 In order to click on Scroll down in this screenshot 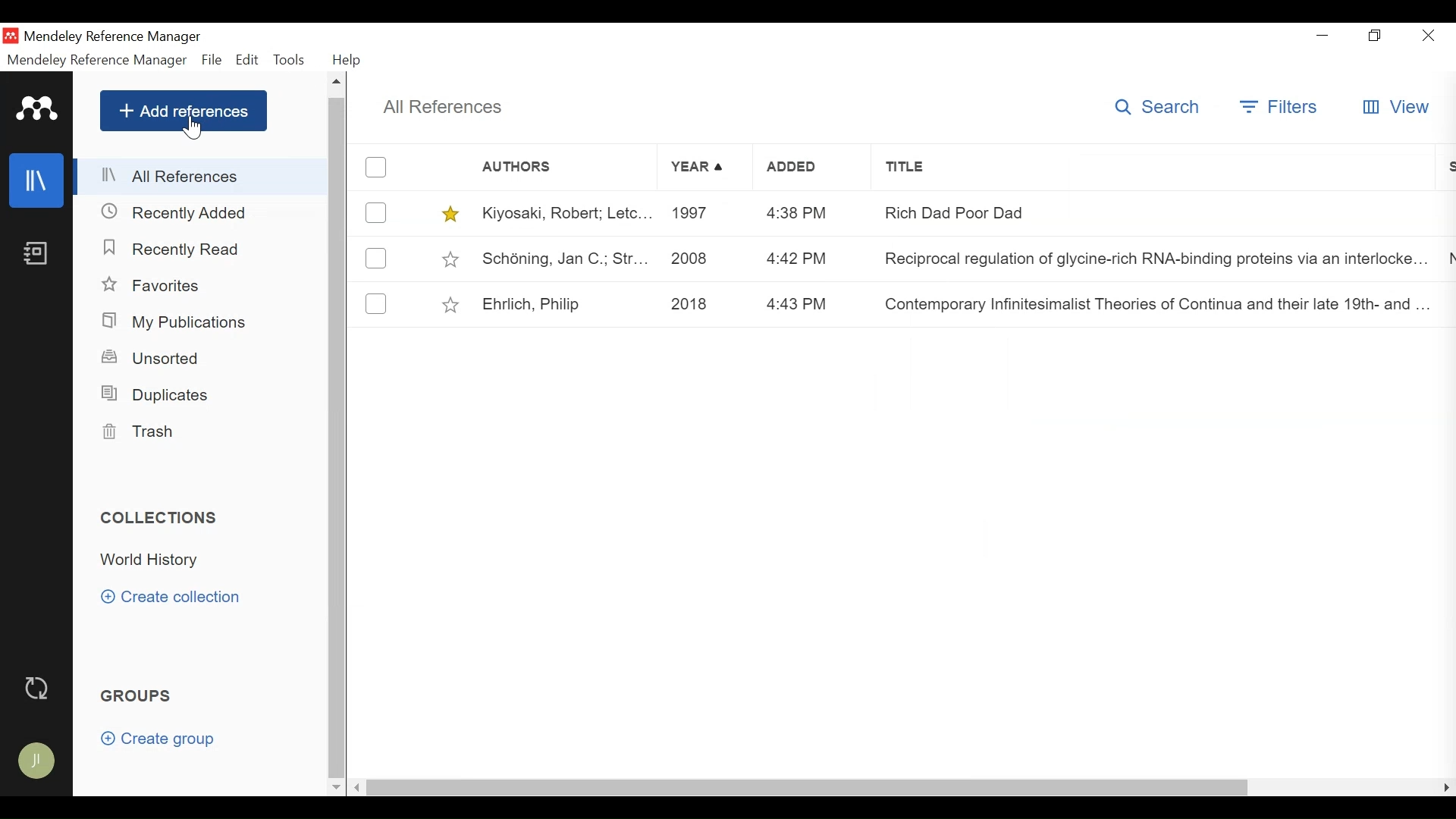, I will do `click(334, 789)`.